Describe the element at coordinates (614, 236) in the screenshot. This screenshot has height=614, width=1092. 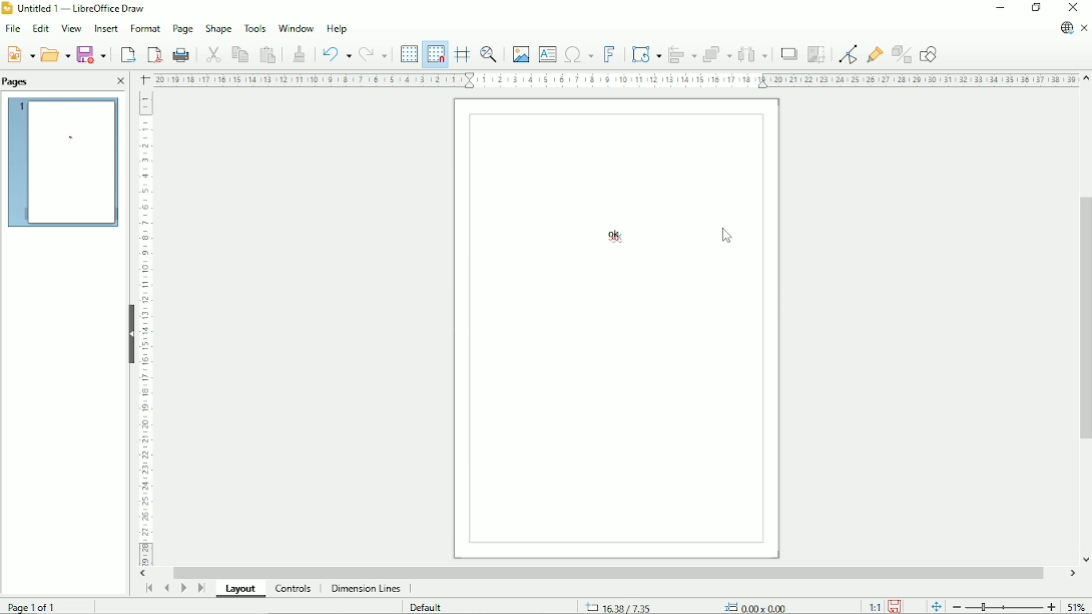
I see `ok Shadow effect applied` at that location.